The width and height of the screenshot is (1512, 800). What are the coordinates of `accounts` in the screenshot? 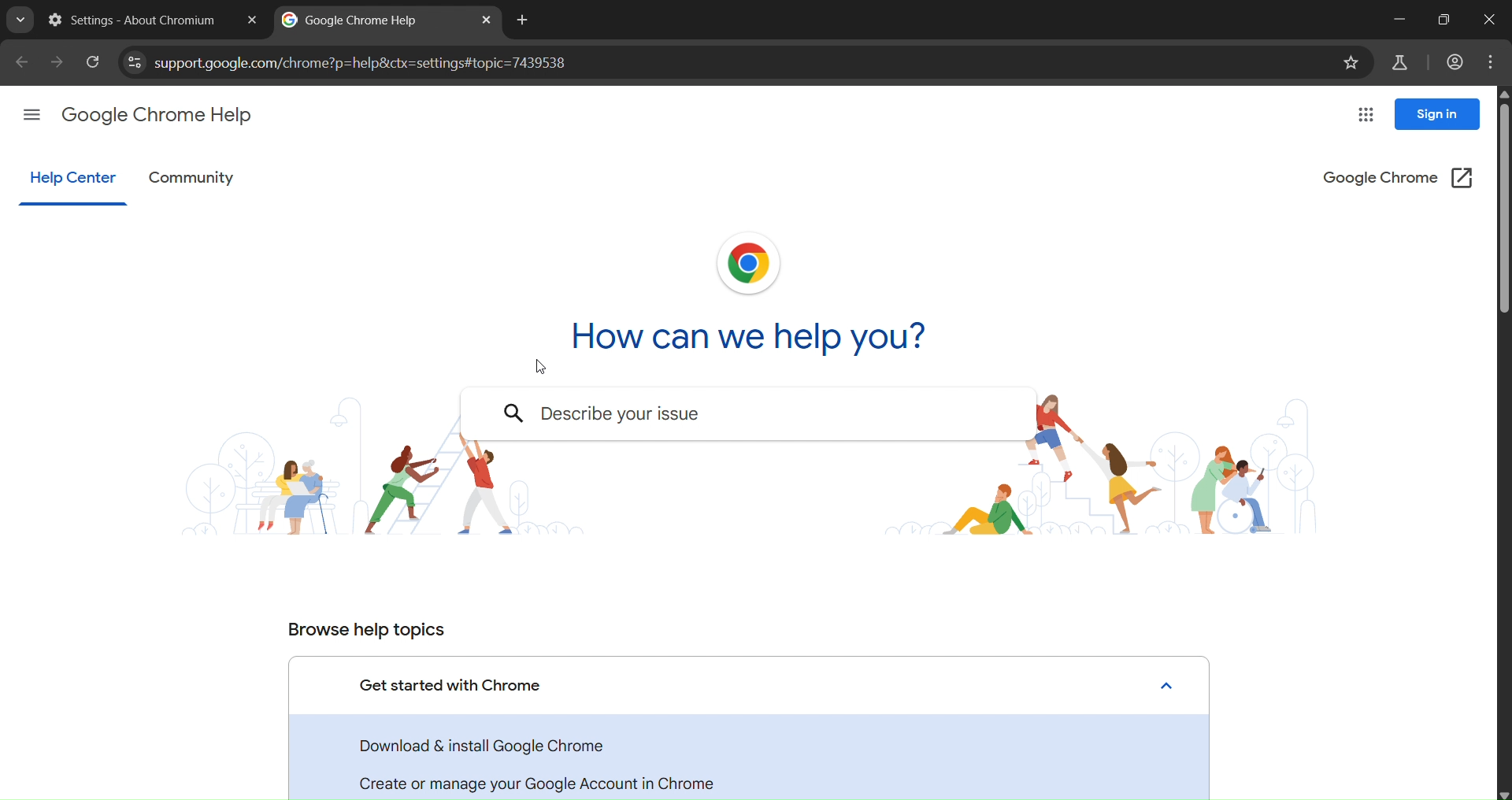 It's located at (1455, 61).